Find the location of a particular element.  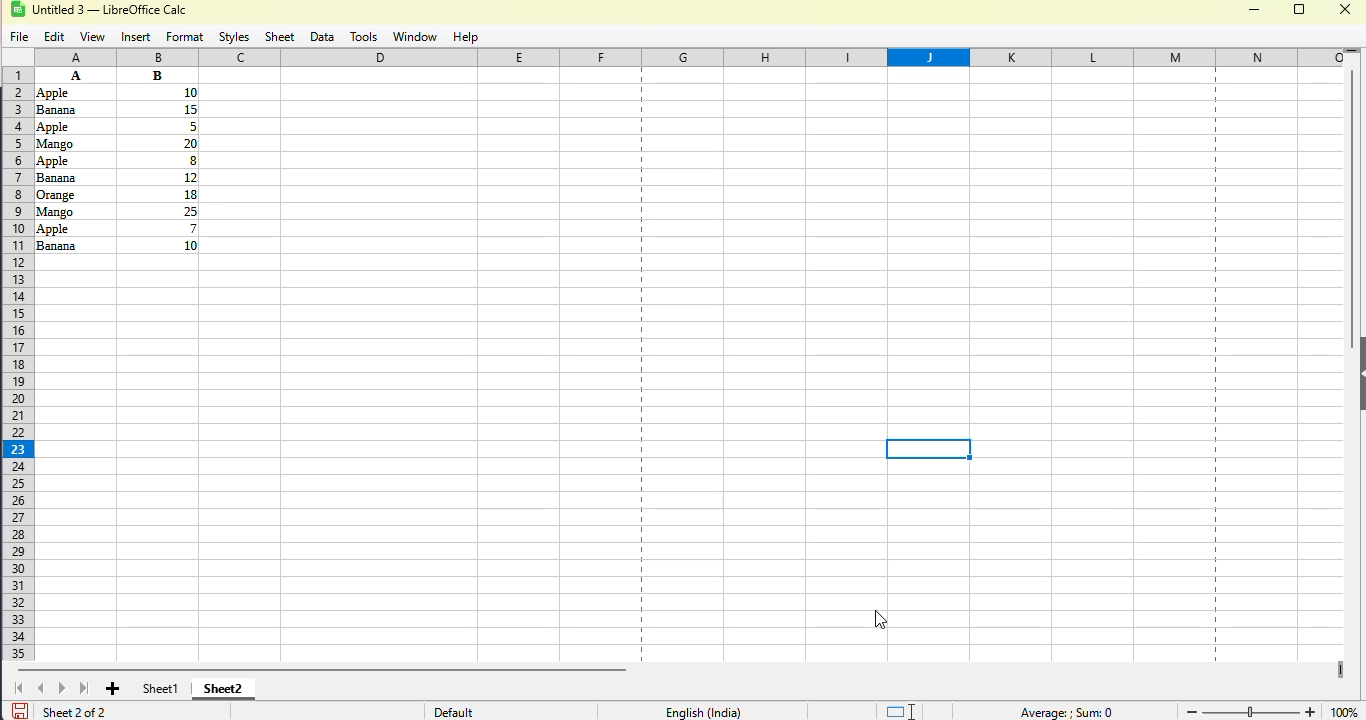

 is located at coordinates (158, 142).